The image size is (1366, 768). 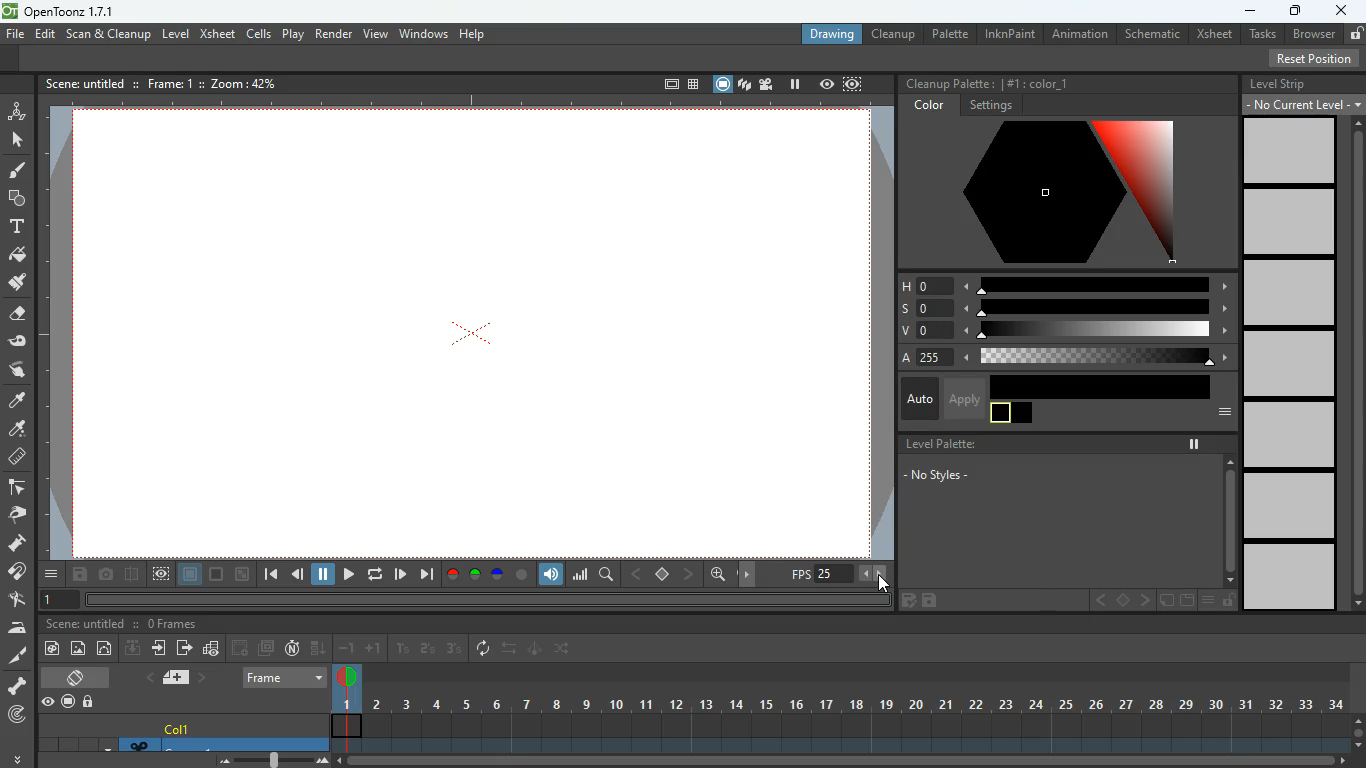 What do you see at coordinates (47, 703) in the screenshot?
I see `view` at bounding box center [47, 703].